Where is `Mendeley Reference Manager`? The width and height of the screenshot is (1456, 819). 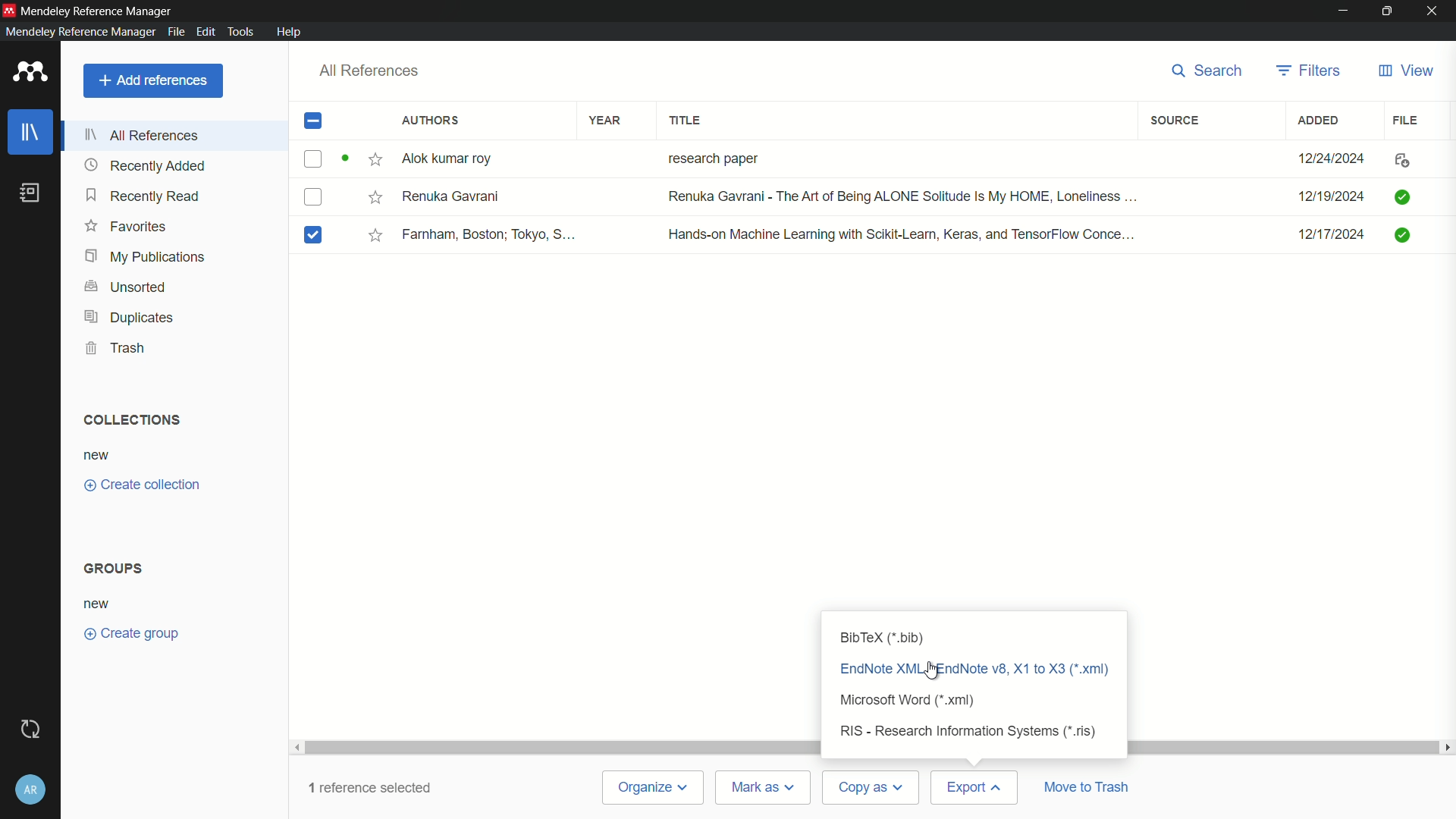 Mendeley Reference Manager is located at coordinates (99, 11).